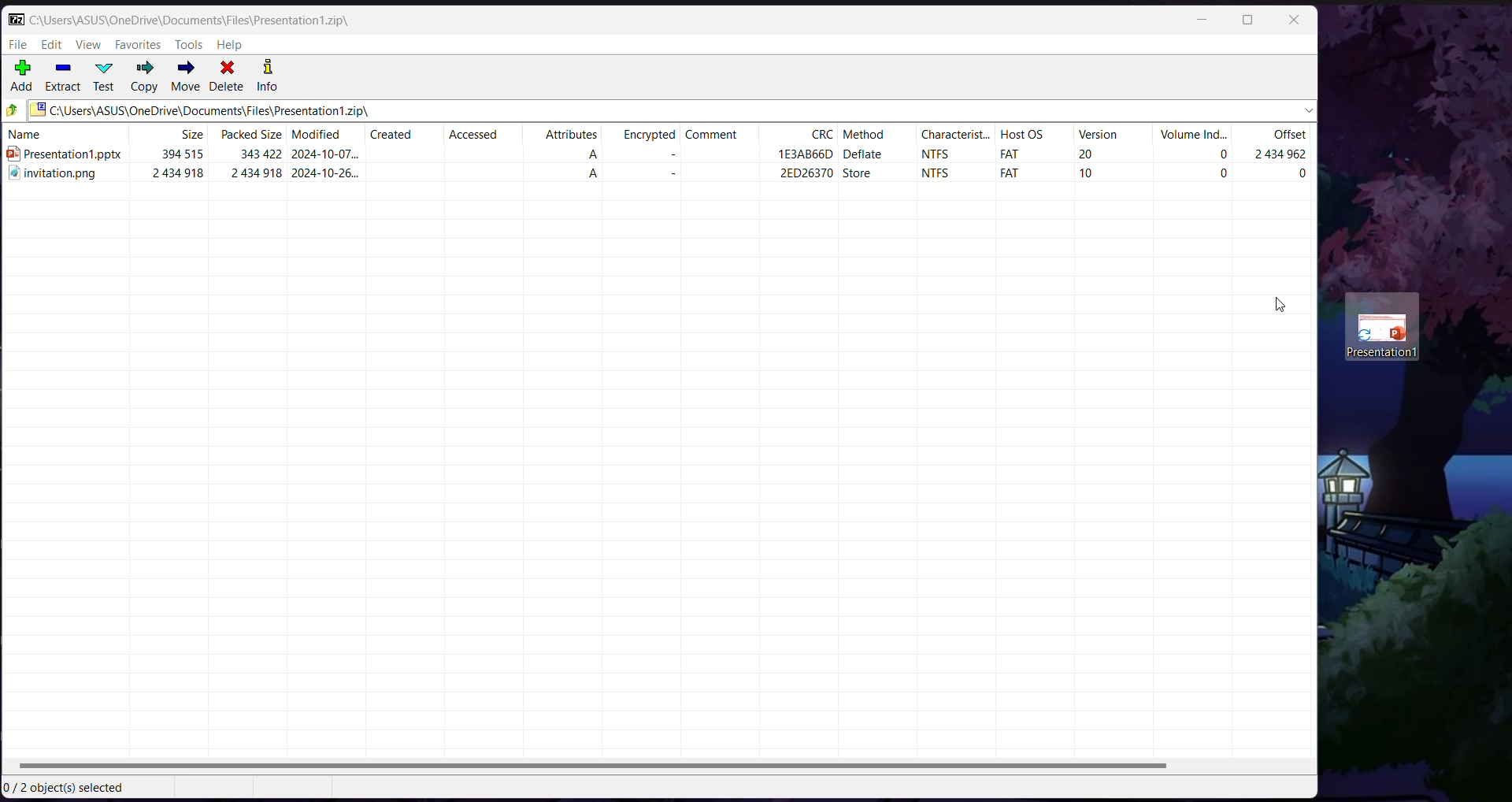 The height and width of the screenshot is (802, 1512). Describe the element at coordinates (229, 45) in the screenshot. I see `Help` at that location.